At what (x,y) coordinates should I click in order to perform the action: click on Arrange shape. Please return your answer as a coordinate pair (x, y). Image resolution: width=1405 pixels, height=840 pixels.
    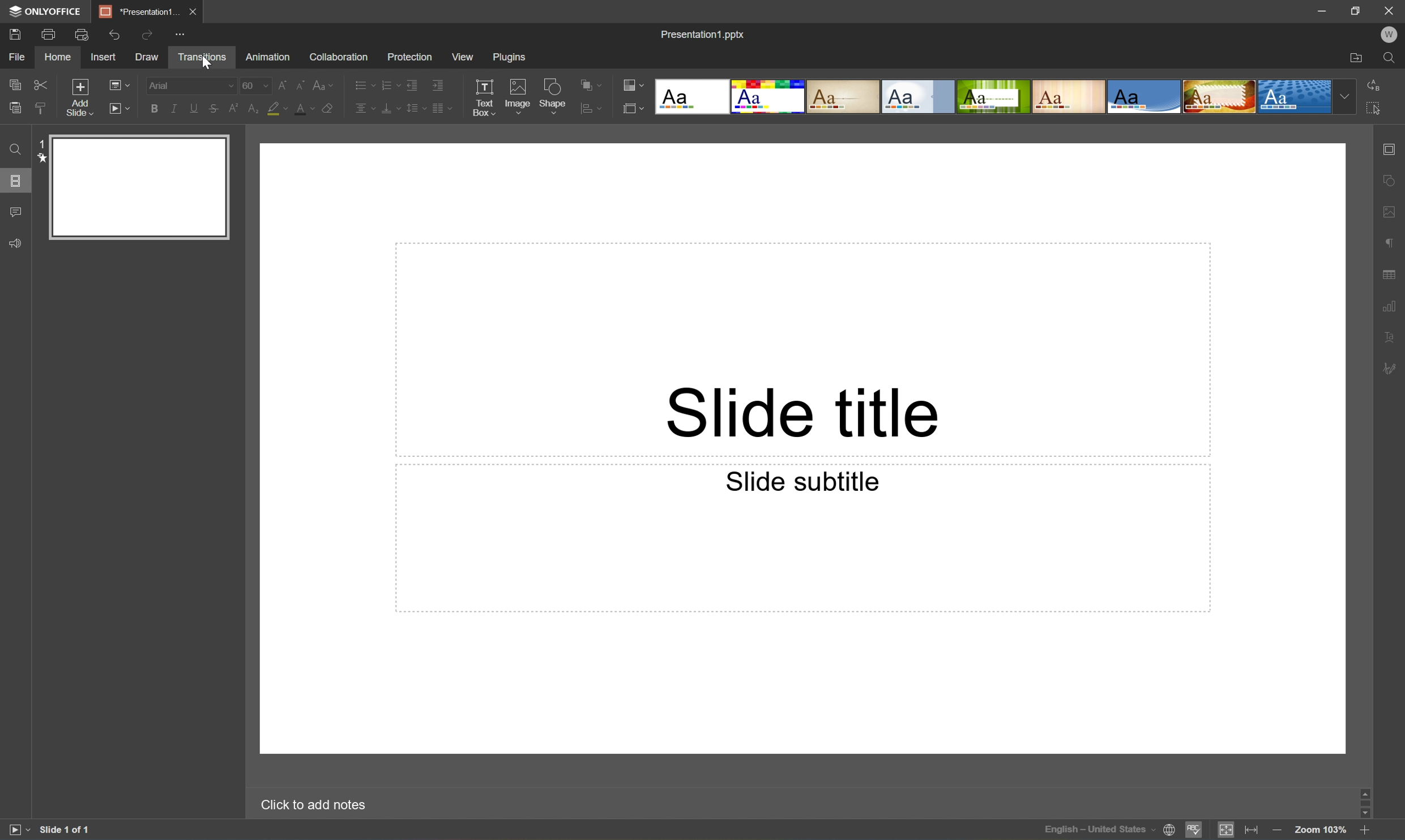
    Looking at the image, I should click on (591, 83).